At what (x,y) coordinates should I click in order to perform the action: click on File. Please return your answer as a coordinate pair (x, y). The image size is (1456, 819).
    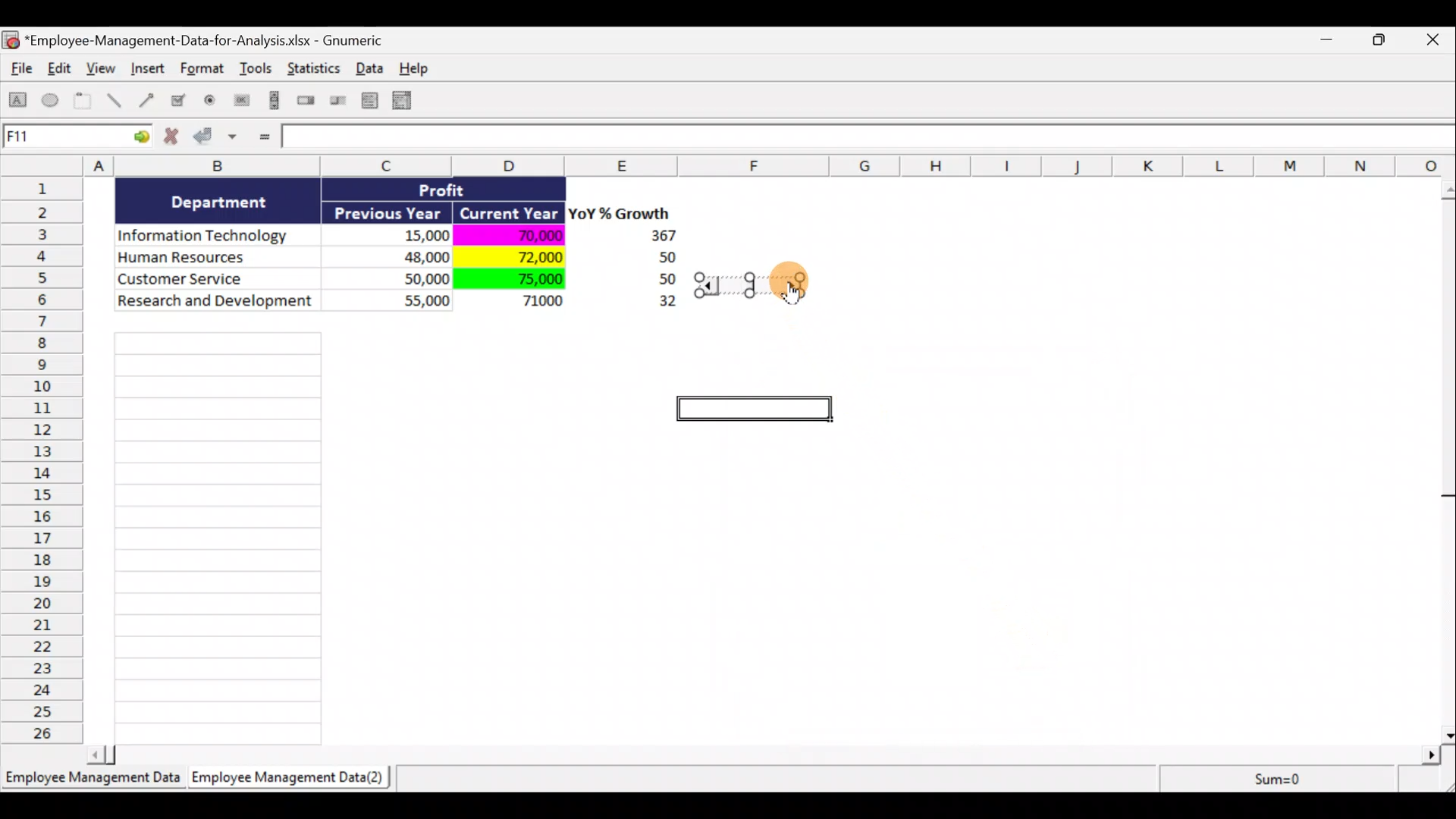
    Looking at the image, I should click on (18, 71).